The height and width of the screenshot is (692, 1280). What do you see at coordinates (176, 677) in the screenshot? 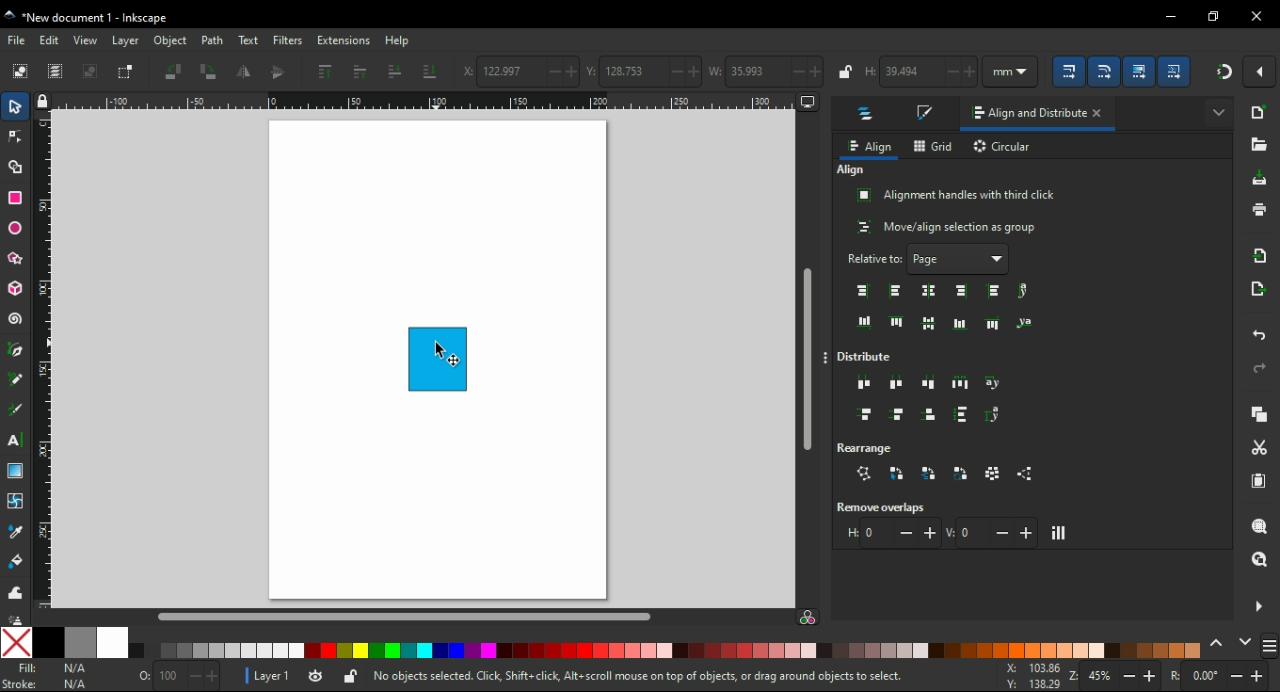
I see `opacity` at bounding box center [176, 677].